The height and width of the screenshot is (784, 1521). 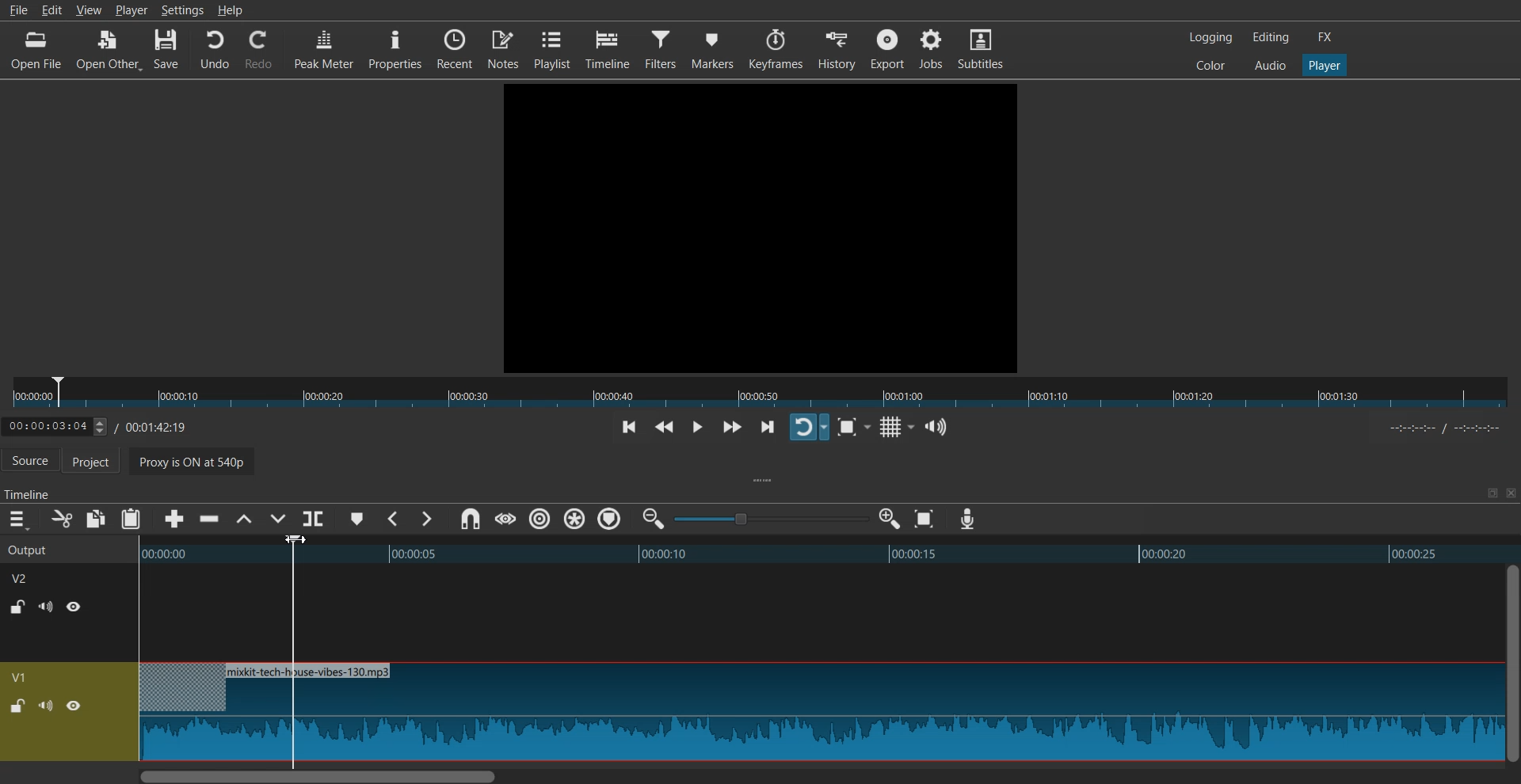 I want to click on Copy, so click(x=97, y=519).